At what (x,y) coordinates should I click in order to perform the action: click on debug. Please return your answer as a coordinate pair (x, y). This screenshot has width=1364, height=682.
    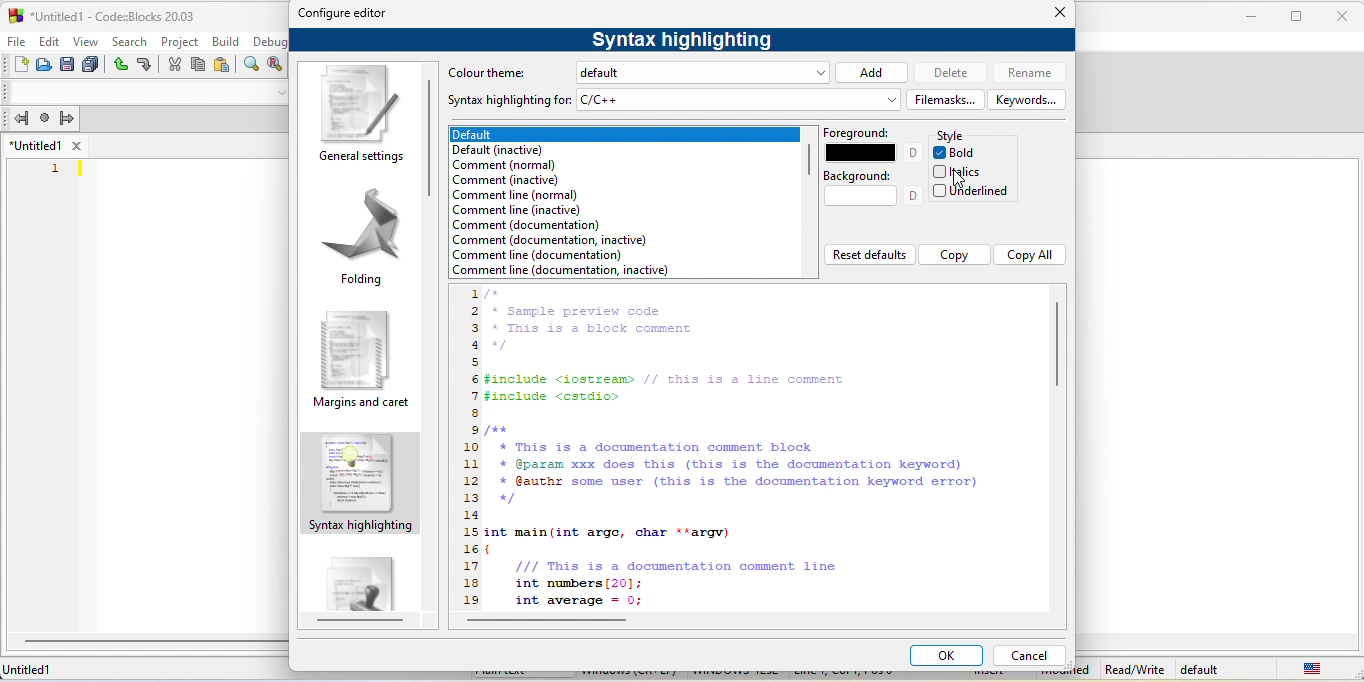
    Looking at the image, I should click on (270, 41).